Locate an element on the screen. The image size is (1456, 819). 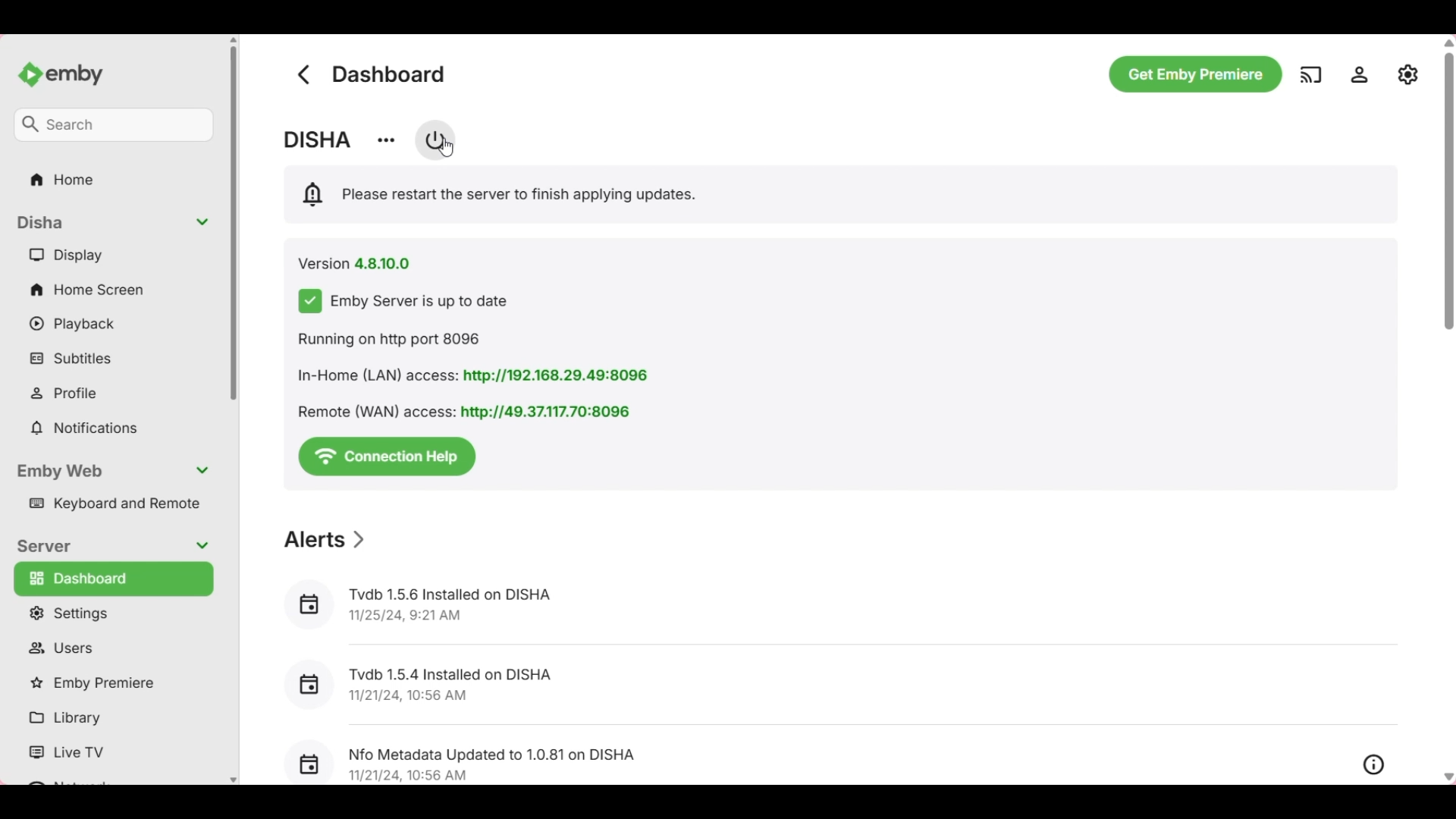
Quick slide to bottom of left panel is located at coordinates (234, 780).